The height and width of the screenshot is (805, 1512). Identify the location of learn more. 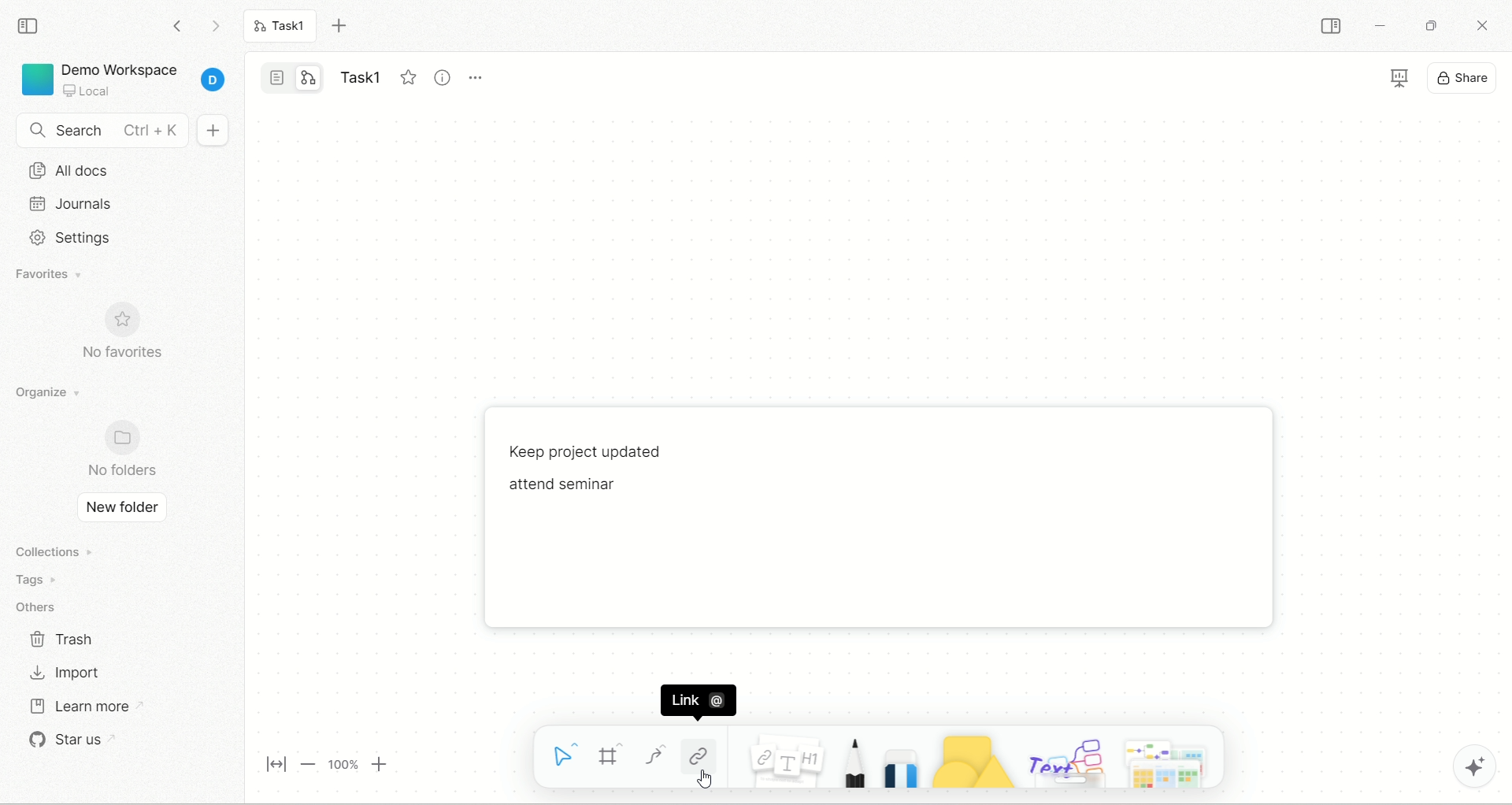
(97, 706).